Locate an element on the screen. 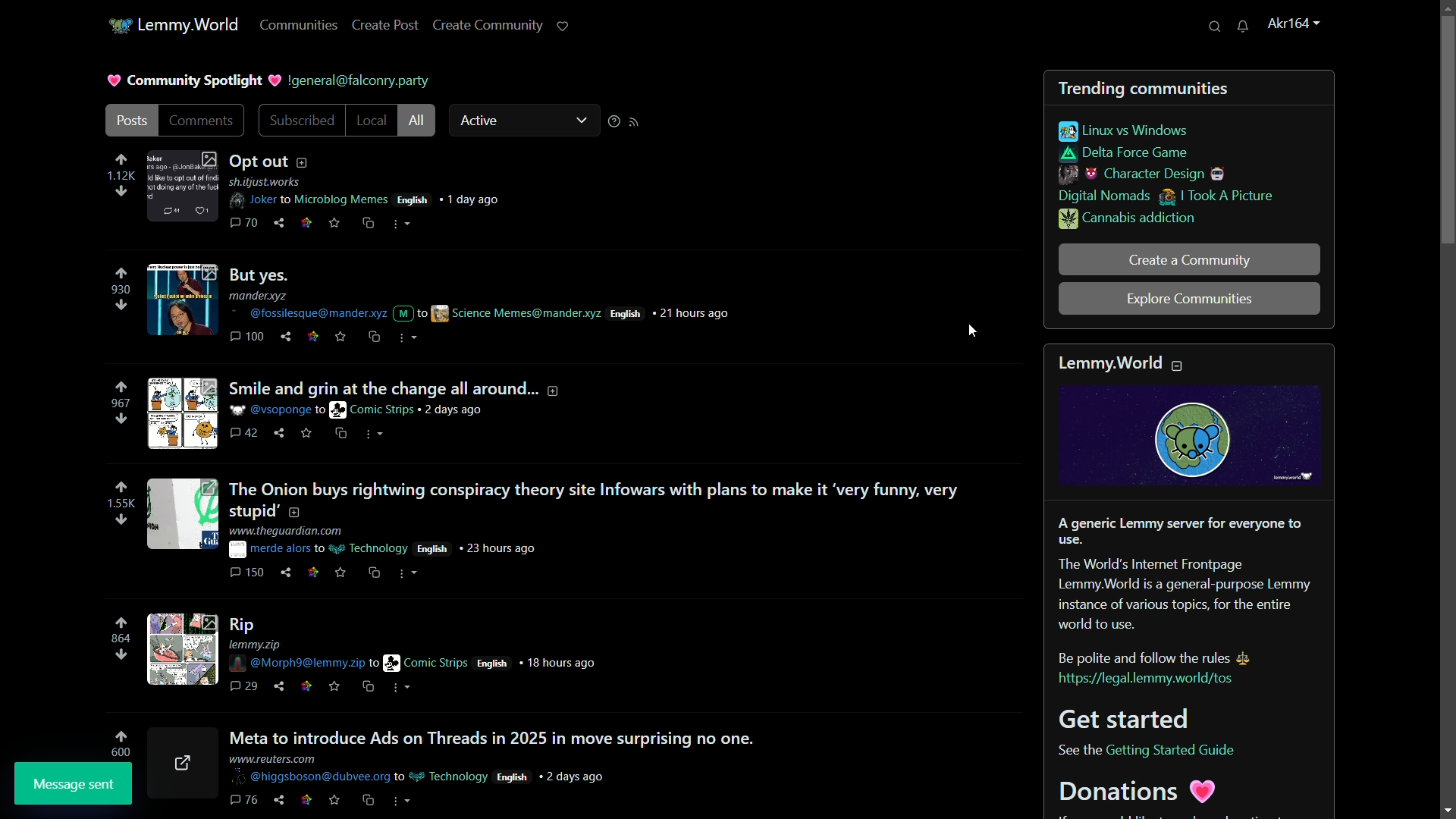  link is located at coordinates (309, 683).